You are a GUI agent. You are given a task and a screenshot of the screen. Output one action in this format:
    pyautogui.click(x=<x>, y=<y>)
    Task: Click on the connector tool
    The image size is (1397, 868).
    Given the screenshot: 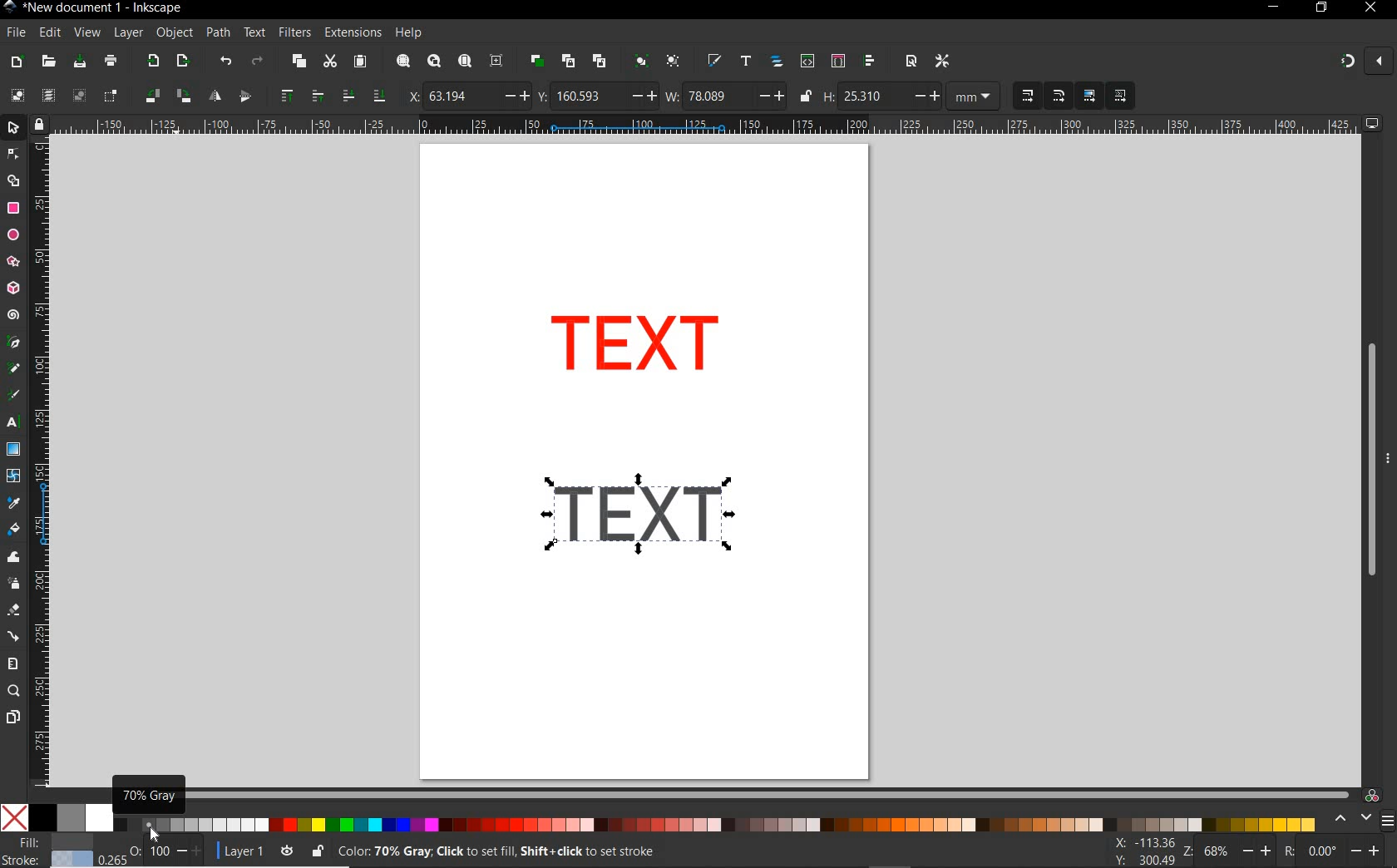 What is the action you would take?
    pyautogui.click(x=13, y=636)
    